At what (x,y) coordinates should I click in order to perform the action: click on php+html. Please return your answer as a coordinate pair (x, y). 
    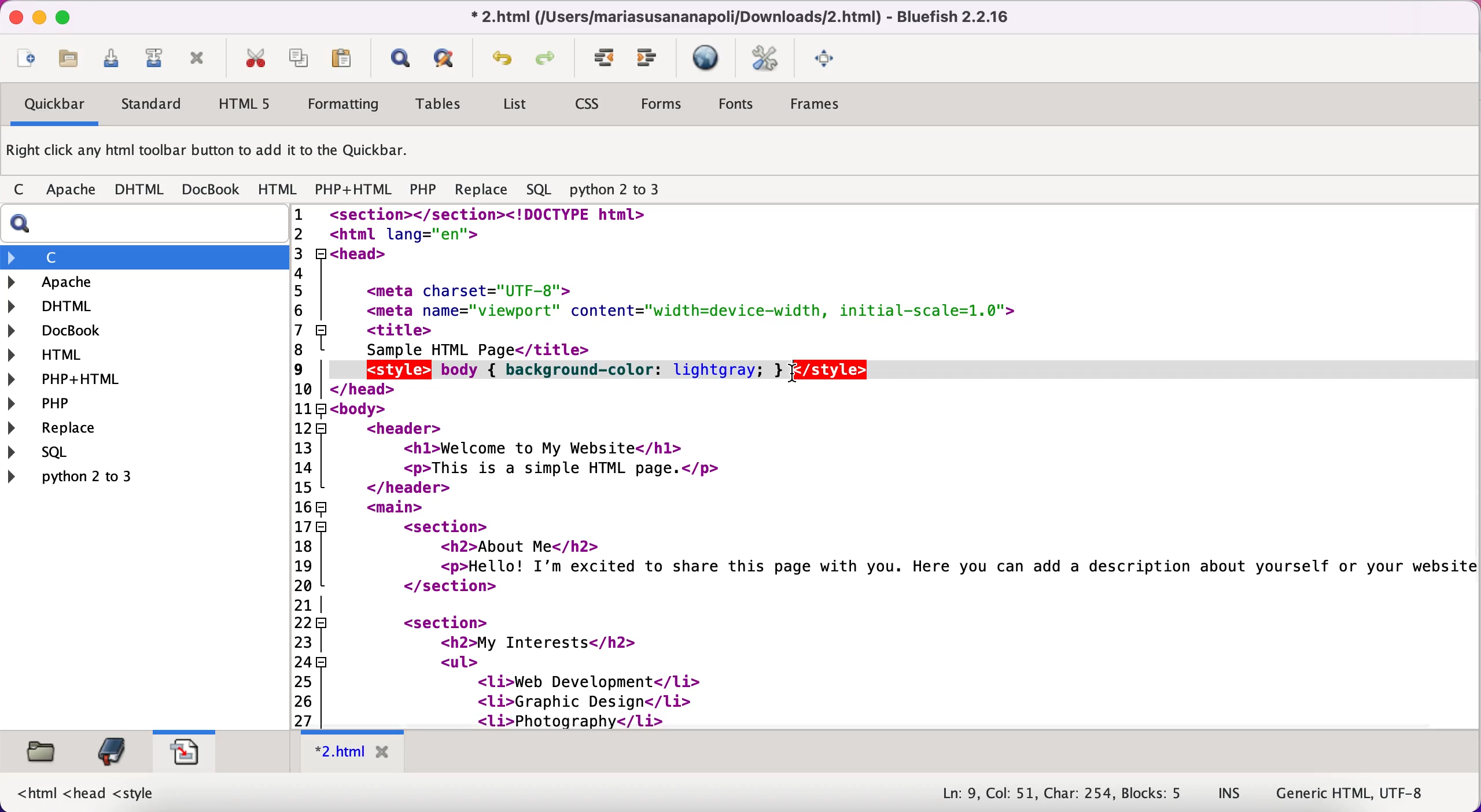
    Looking at the image, I should click on (73, 380).